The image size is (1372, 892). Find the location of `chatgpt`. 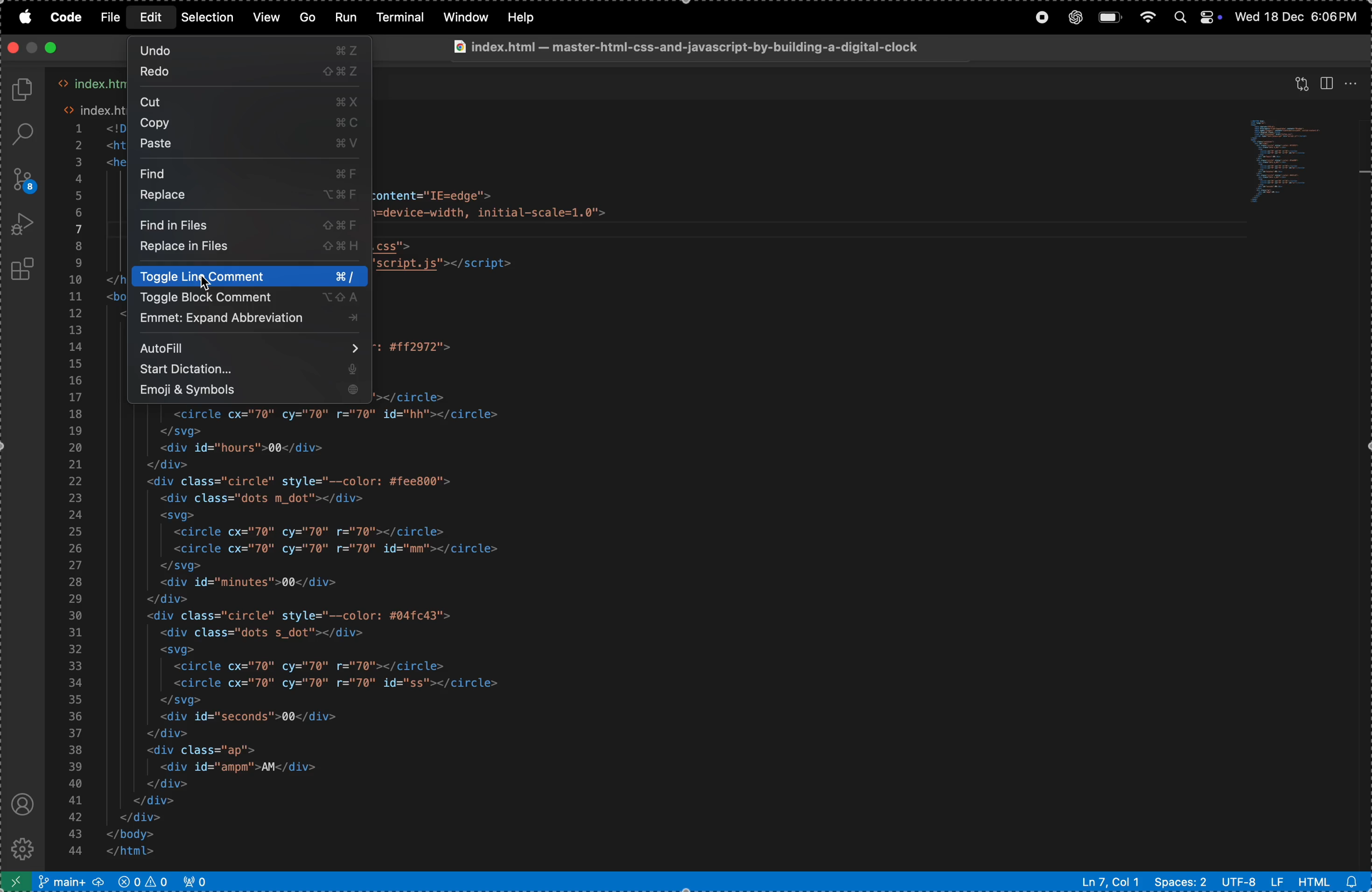

chatgpt is located at coordinates (1074, 17).